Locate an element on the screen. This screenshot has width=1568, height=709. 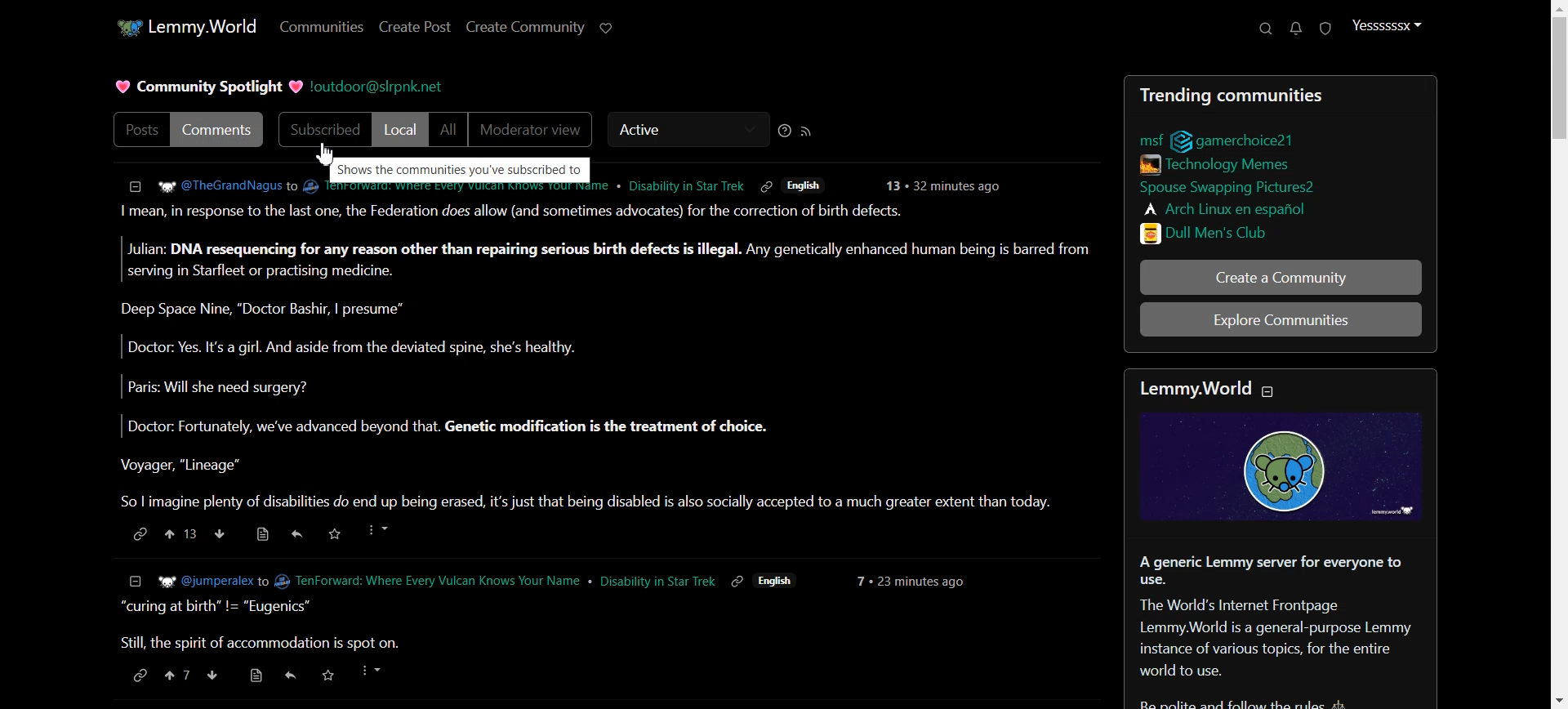
LInks is located at coordinates (1220, 163).